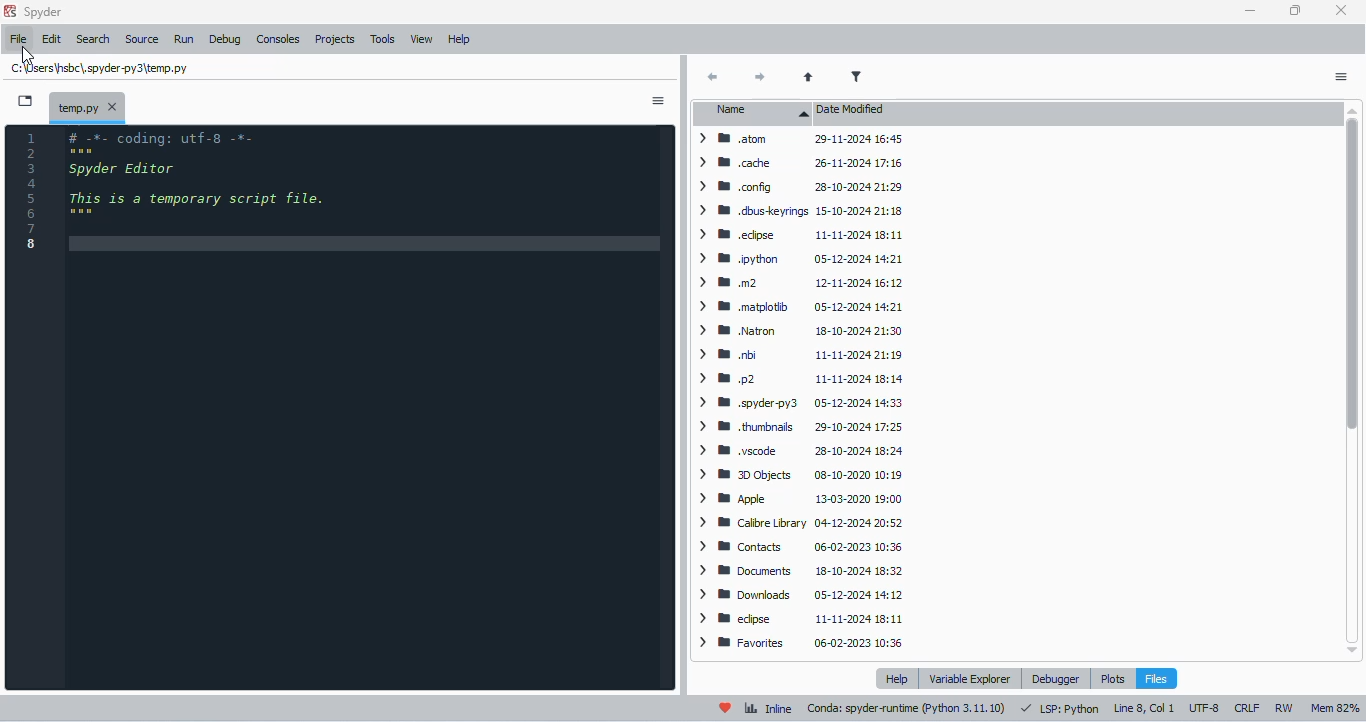 This screenshot has width=1366, height=722. Describe the element at coordinates (360, 409) in the screenshot. I see `editor` at that location.